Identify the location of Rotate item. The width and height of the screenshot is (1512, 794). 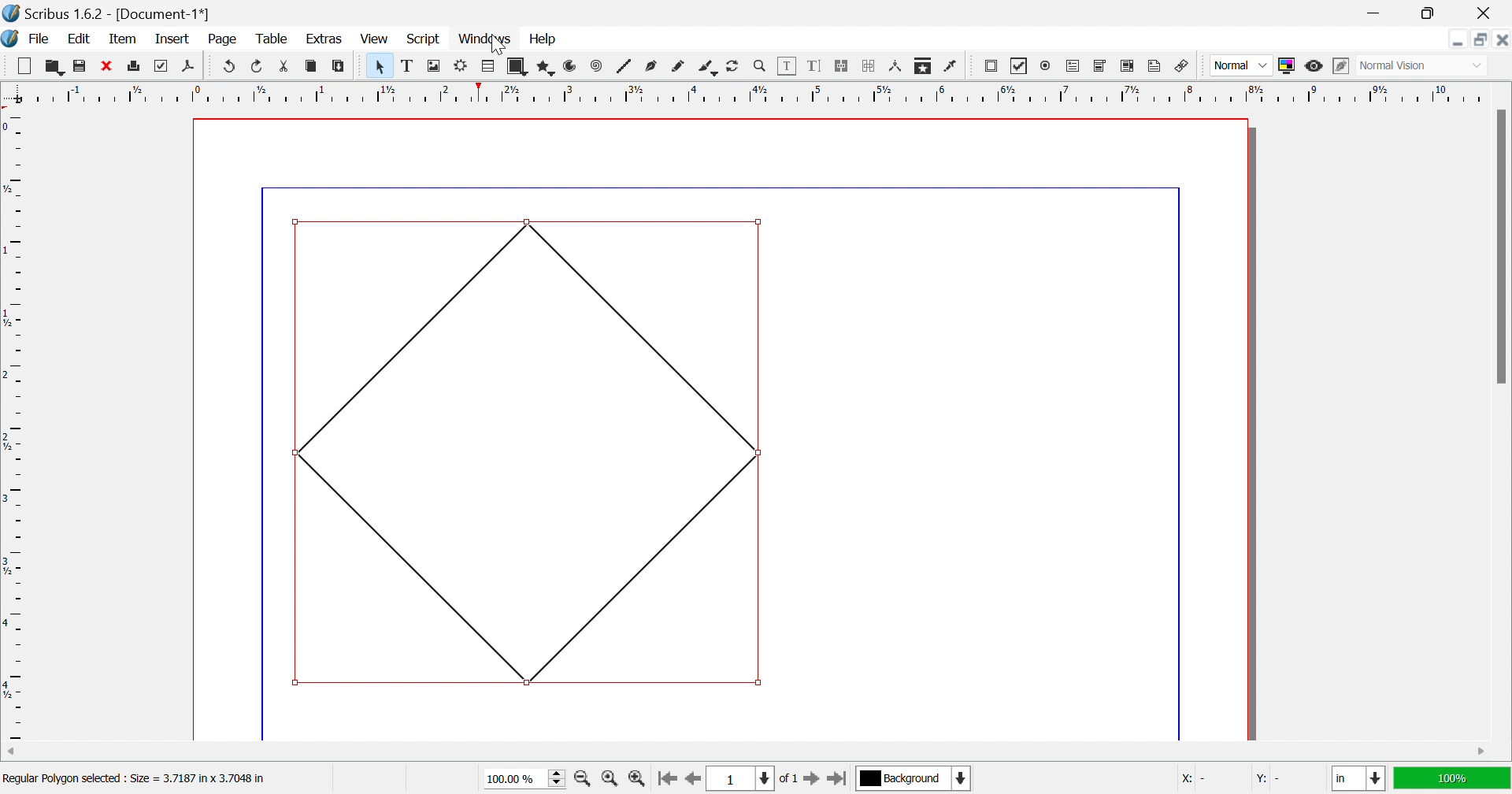
(732, 66).